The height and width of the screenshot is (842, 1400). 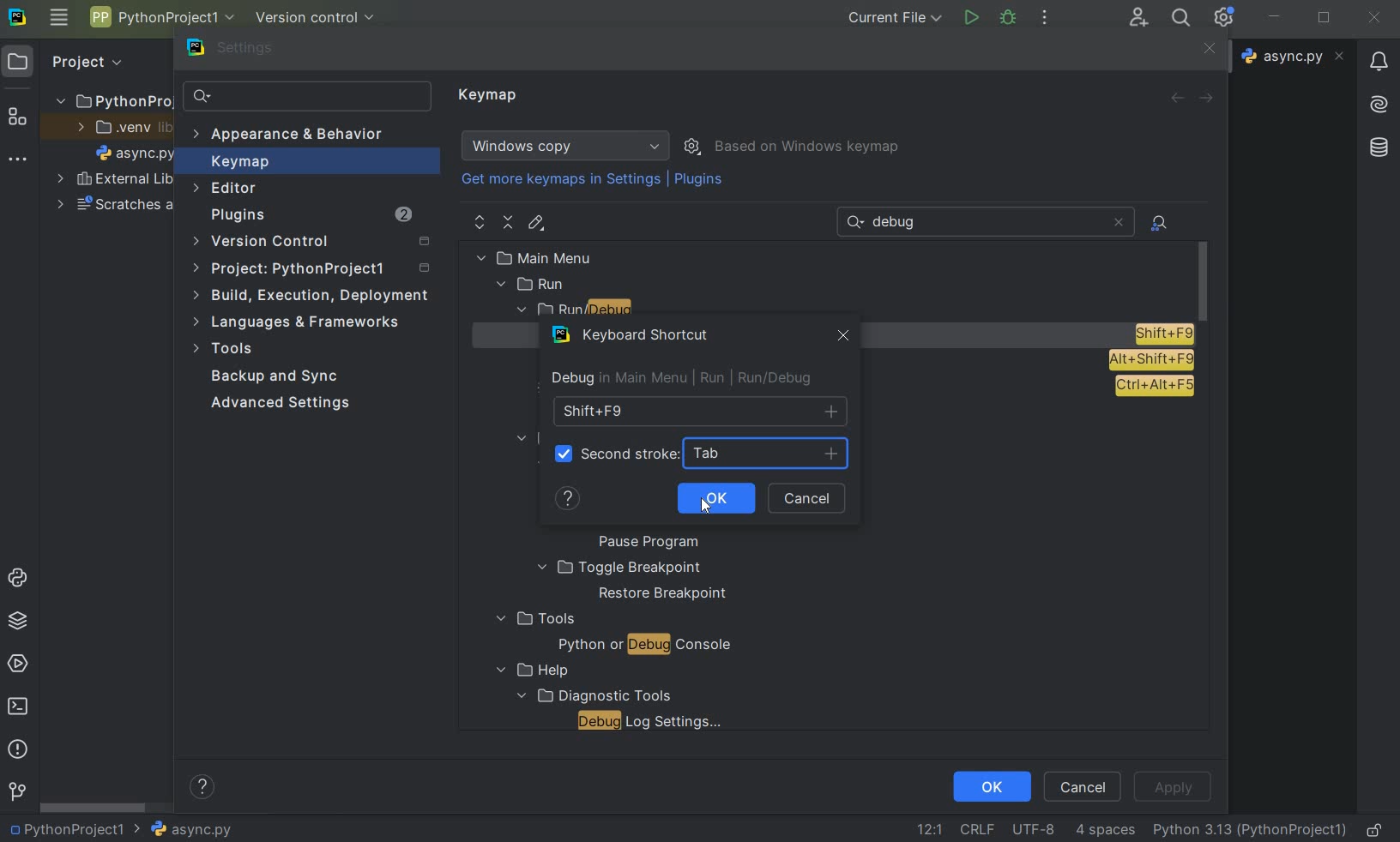 What do you see at coordinates (321, 19) in the screenshot?
I see `version control` at bounding box center [321, 19].